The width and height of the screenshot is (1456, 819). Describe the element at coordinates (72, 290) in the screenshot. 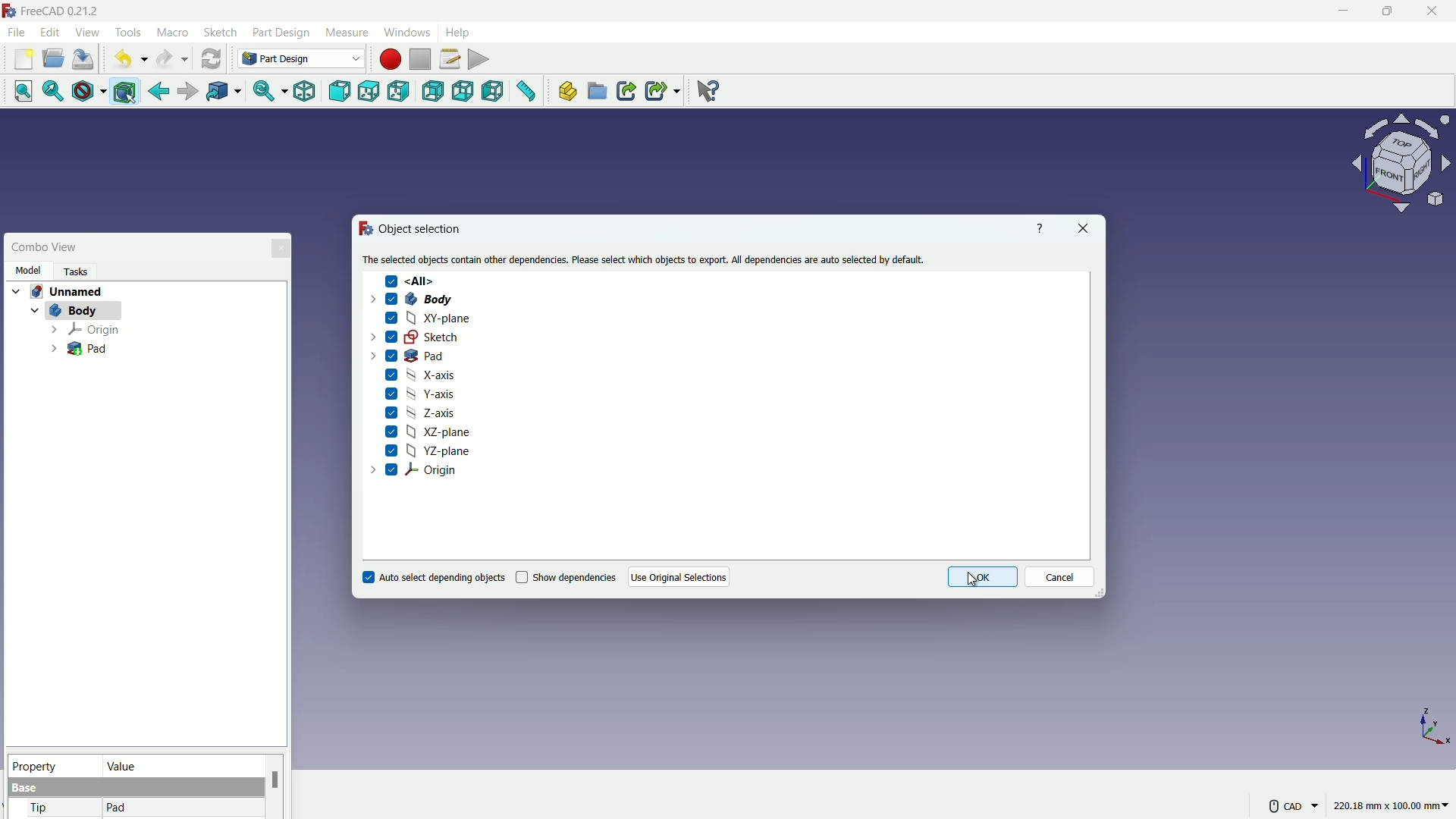

I see `Unnamed` at that location.